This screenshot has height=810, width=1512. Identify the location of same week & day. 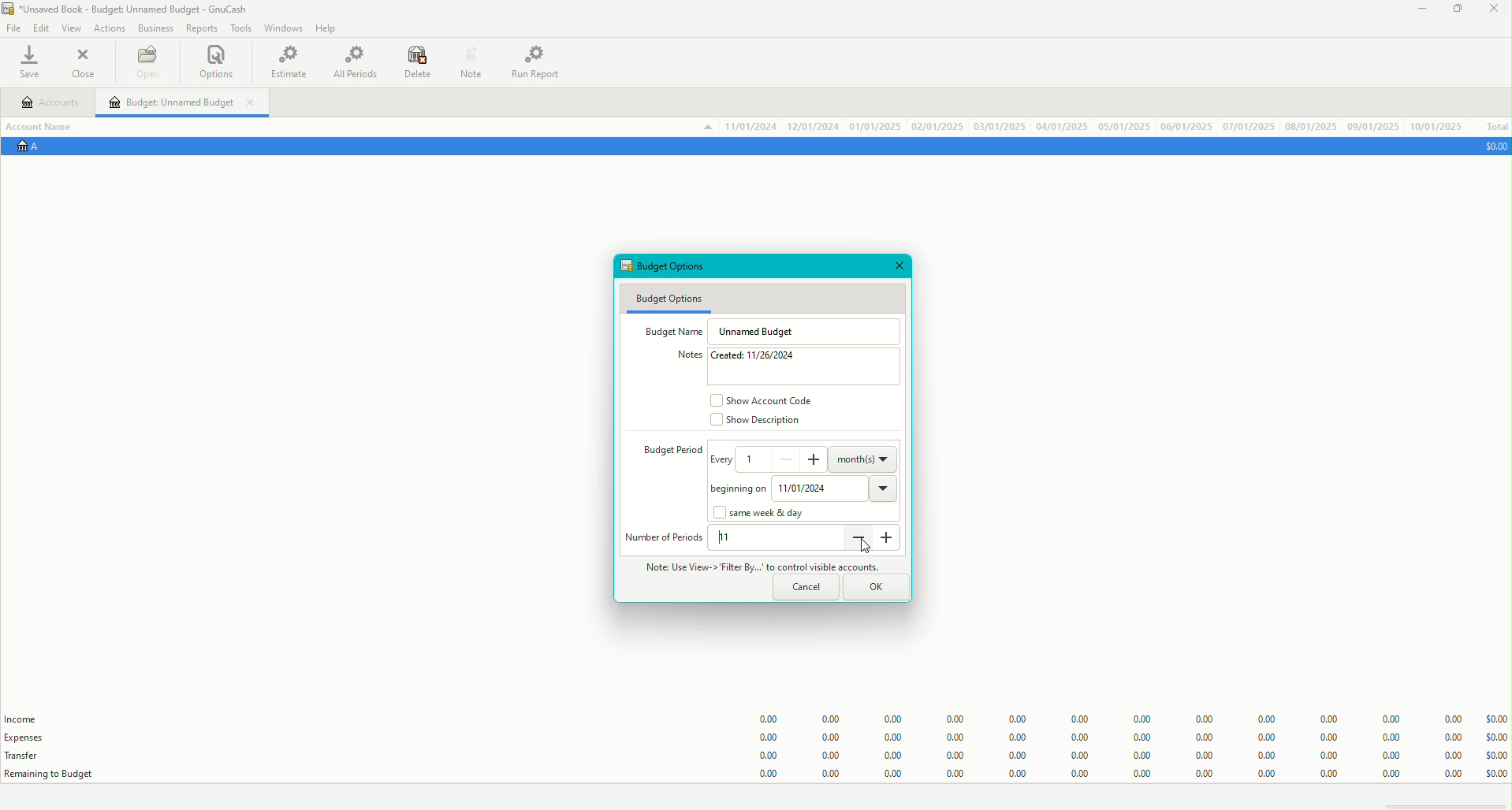
(765, 514).